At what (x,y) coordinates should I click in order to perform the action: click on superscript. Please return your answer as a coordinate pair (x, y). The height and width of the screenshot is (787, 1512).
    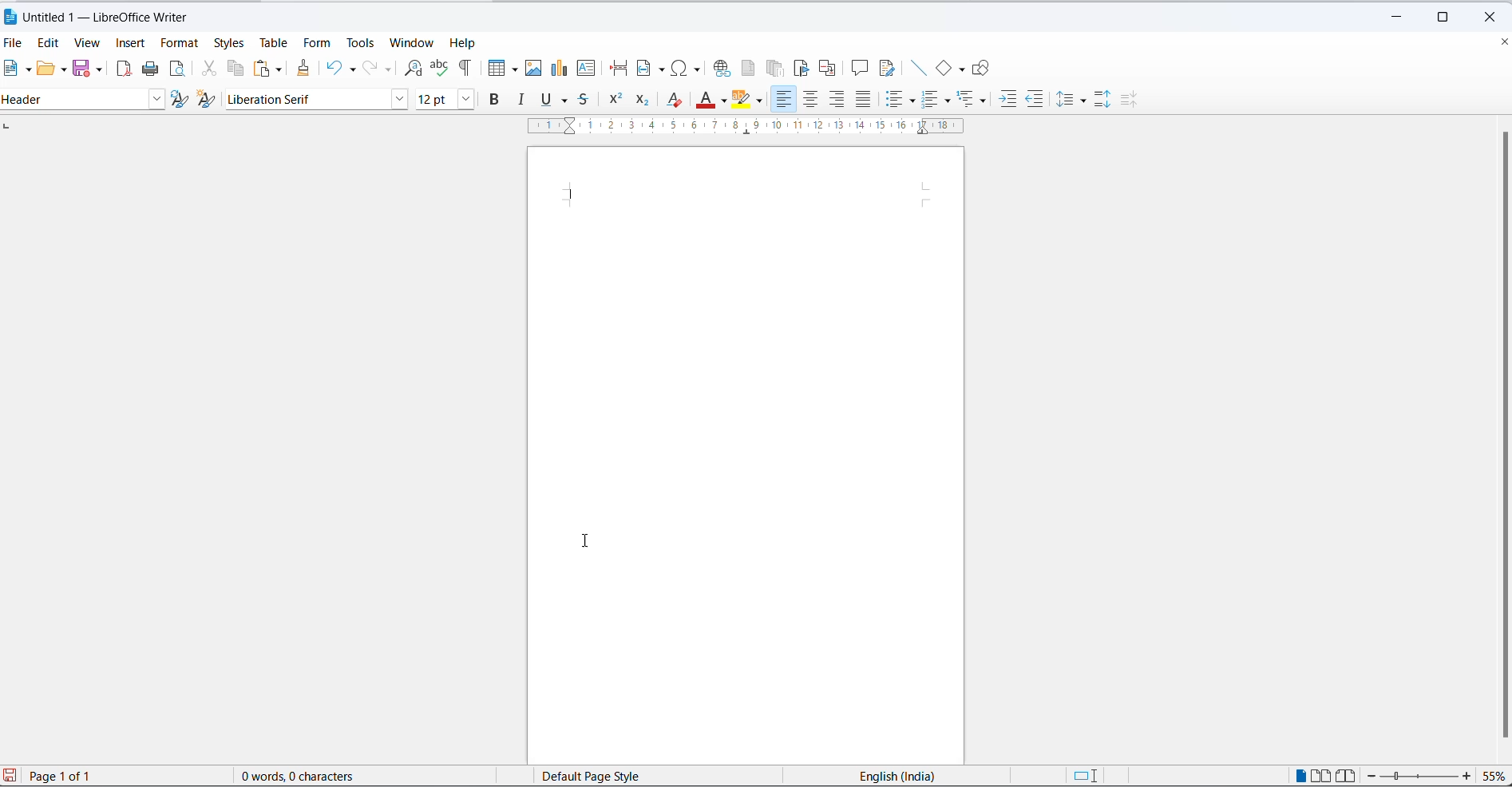
    Looking at the image, I should click on (615, 98).